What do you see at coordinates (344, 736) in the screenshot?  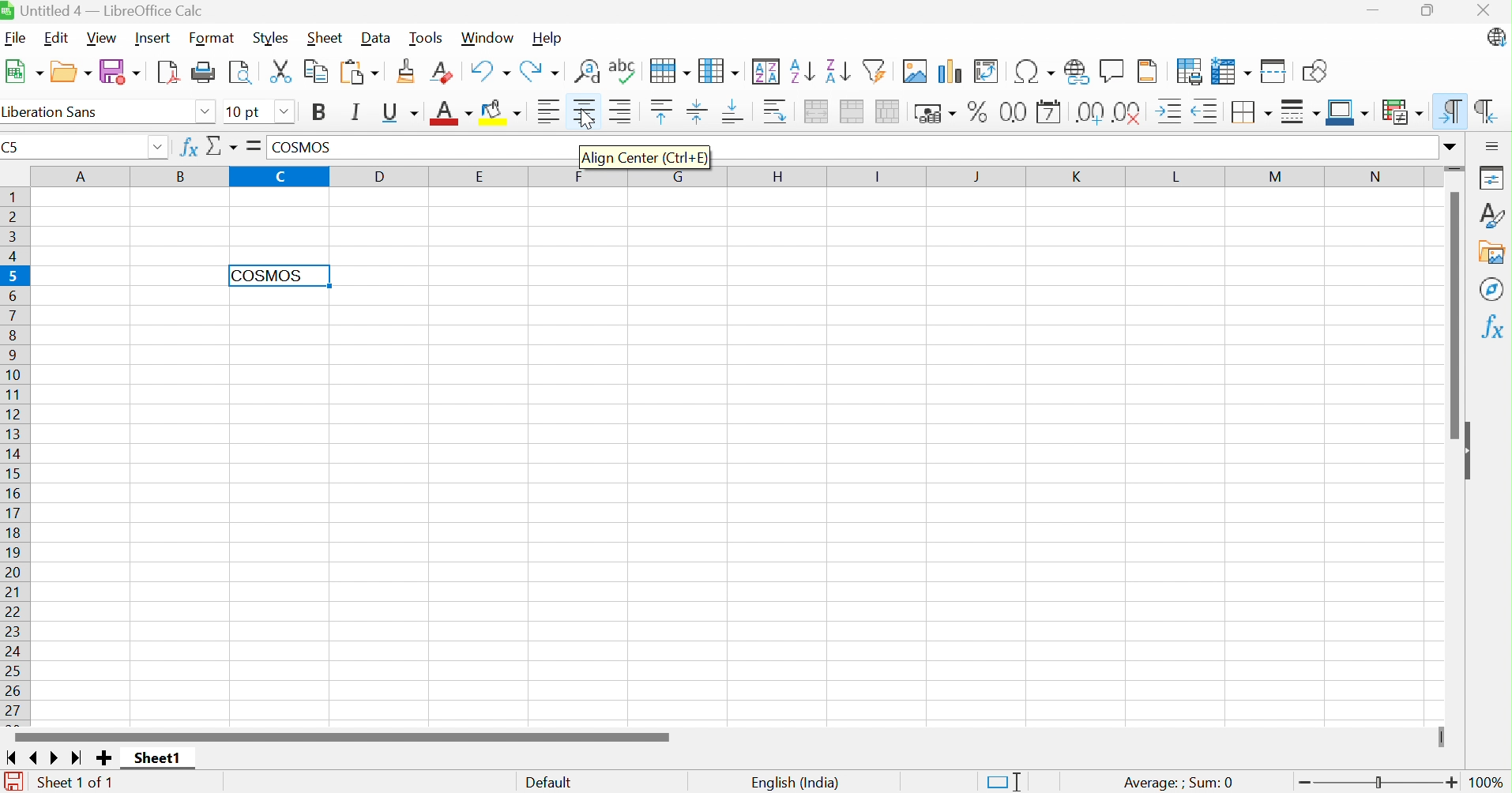 I see `Scroll Bar` at bounding box center [344, 736].